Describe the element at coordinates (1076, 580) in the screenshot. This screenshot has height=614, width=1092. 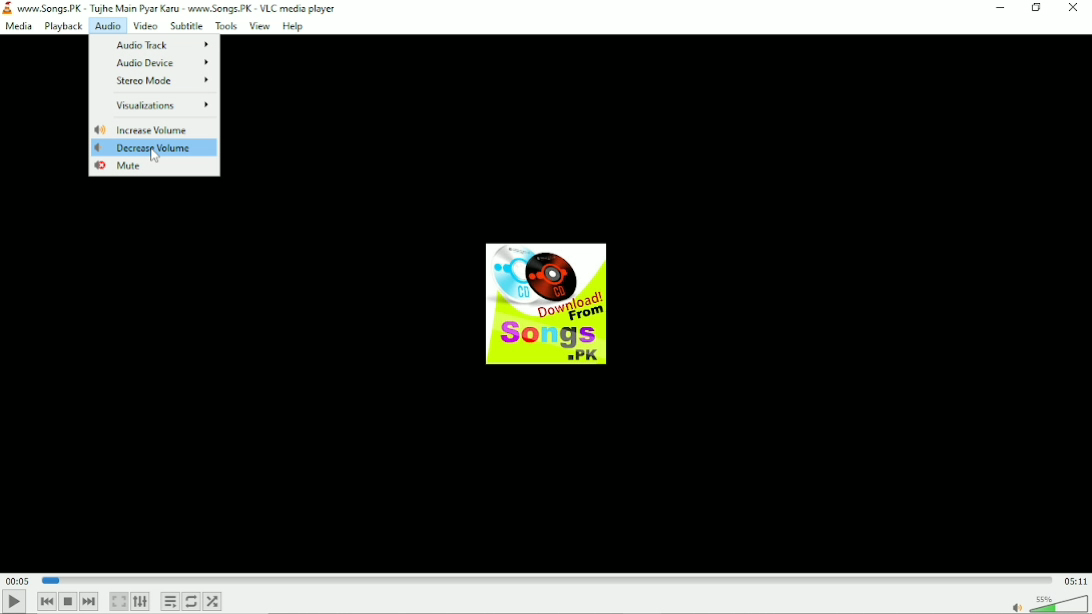
I see `Total duration` at that location.